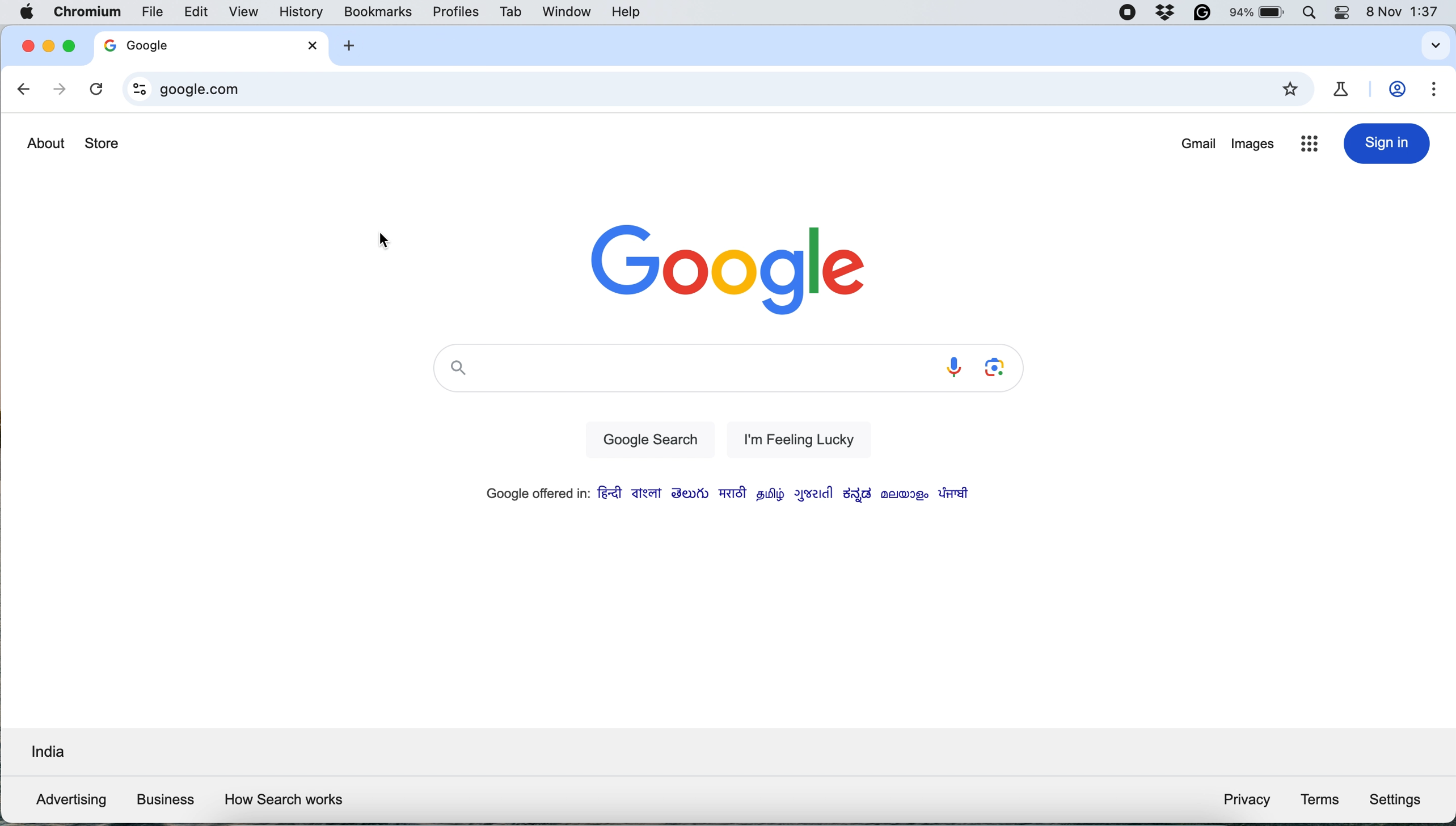 The height and width of the screenshot is (826, 1456). Describe the element at coordinates (348, 47) in the screenshot. I see `add new tab` at that location.